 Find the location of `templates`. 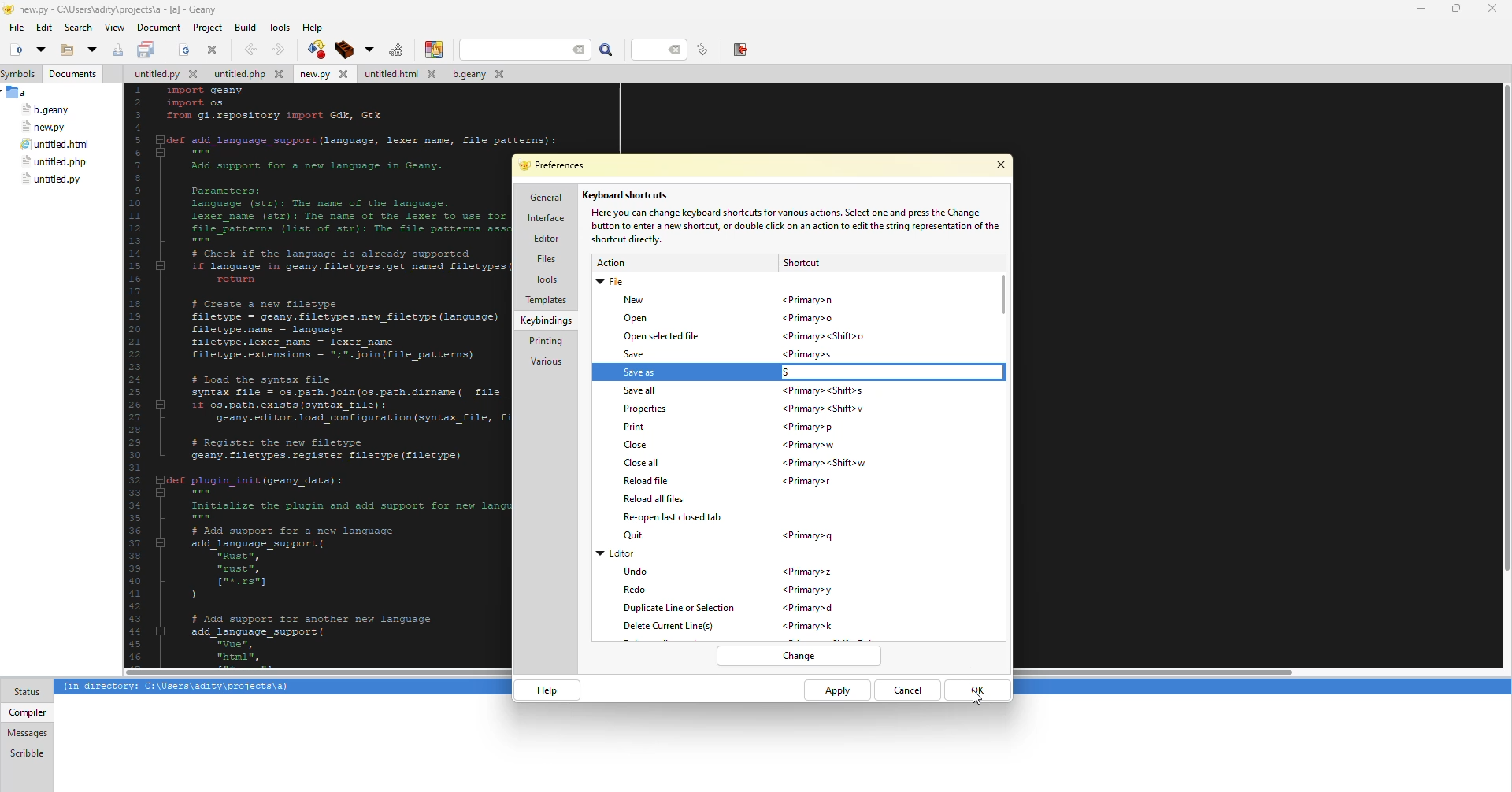

templates is located at coordinates (546, 299).